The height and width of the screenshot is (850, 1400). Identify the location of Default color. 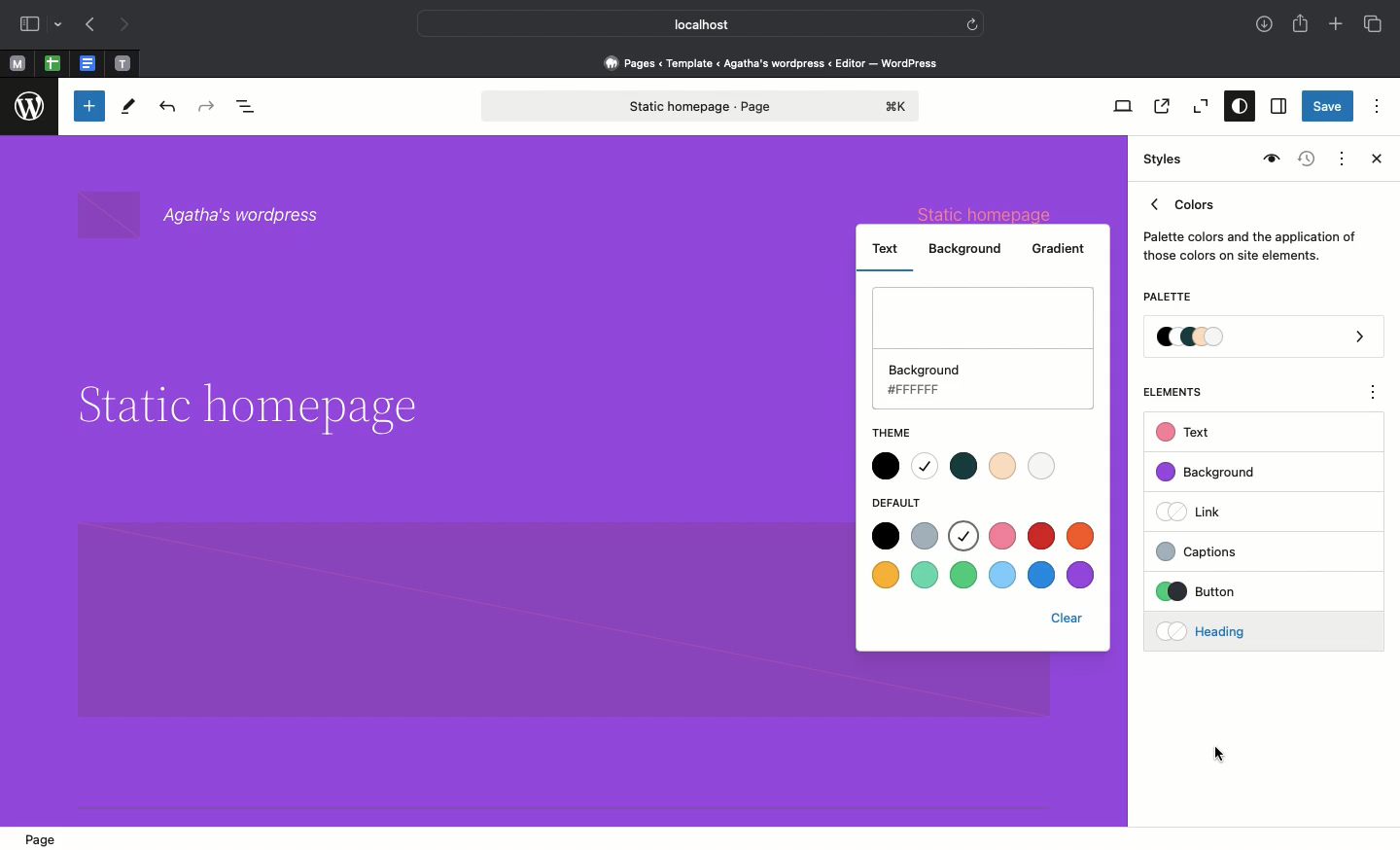
(986, 557).